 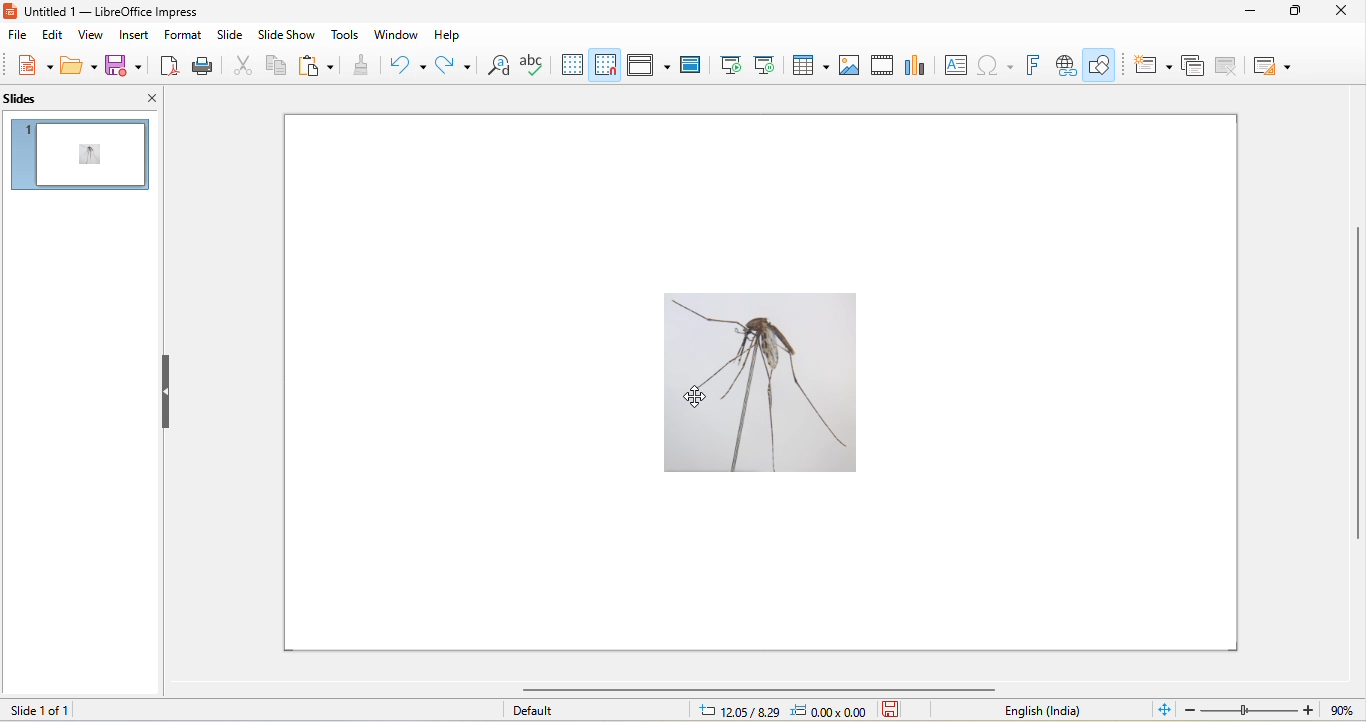 What do you see at coordinates (1357, 383) in the screenshot?
I see `vertical scroll` at bounding box center [1357, 383].